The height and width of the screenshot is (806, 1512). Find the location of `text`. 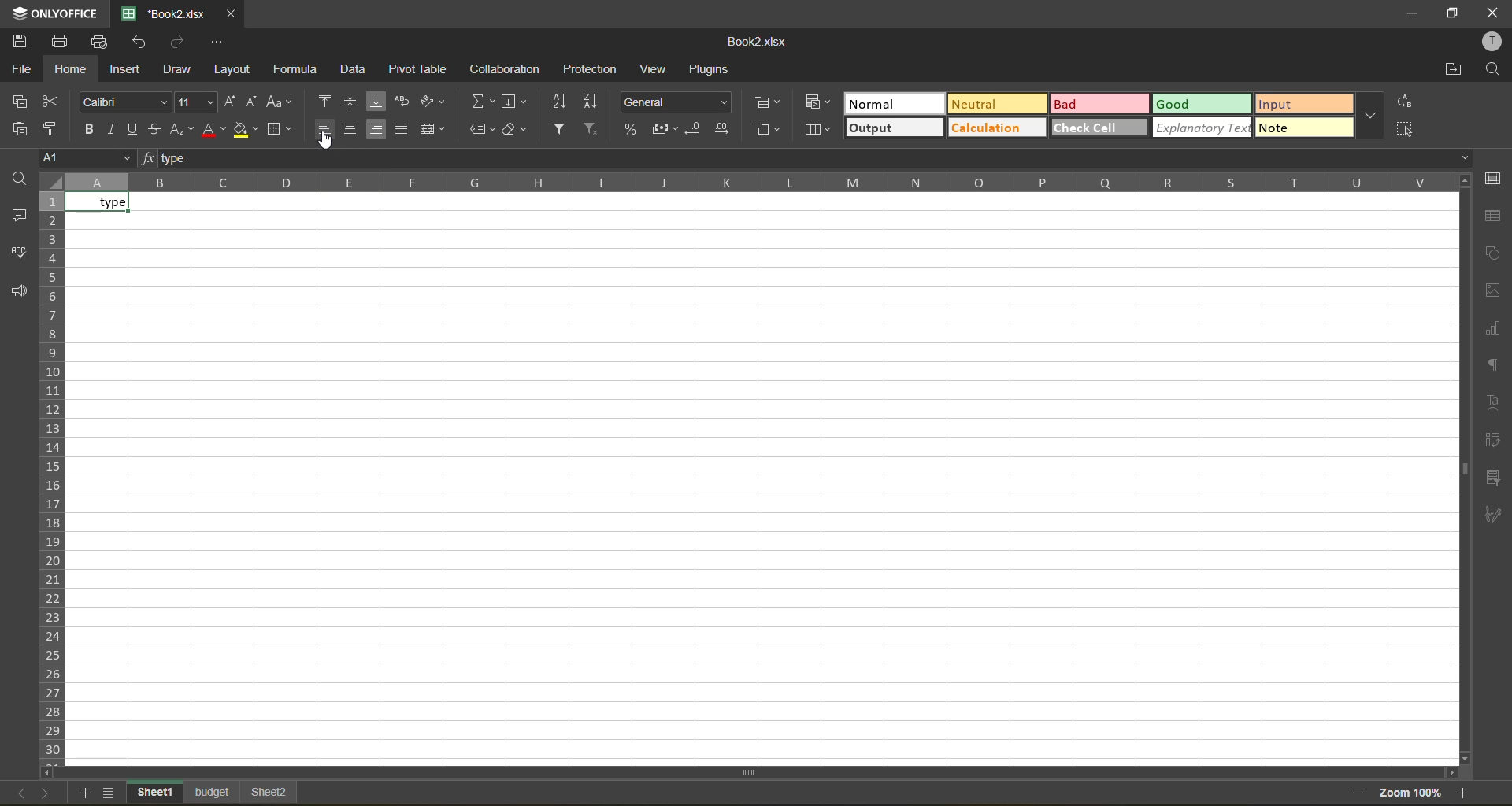

text is located at coordinates (104, 204).